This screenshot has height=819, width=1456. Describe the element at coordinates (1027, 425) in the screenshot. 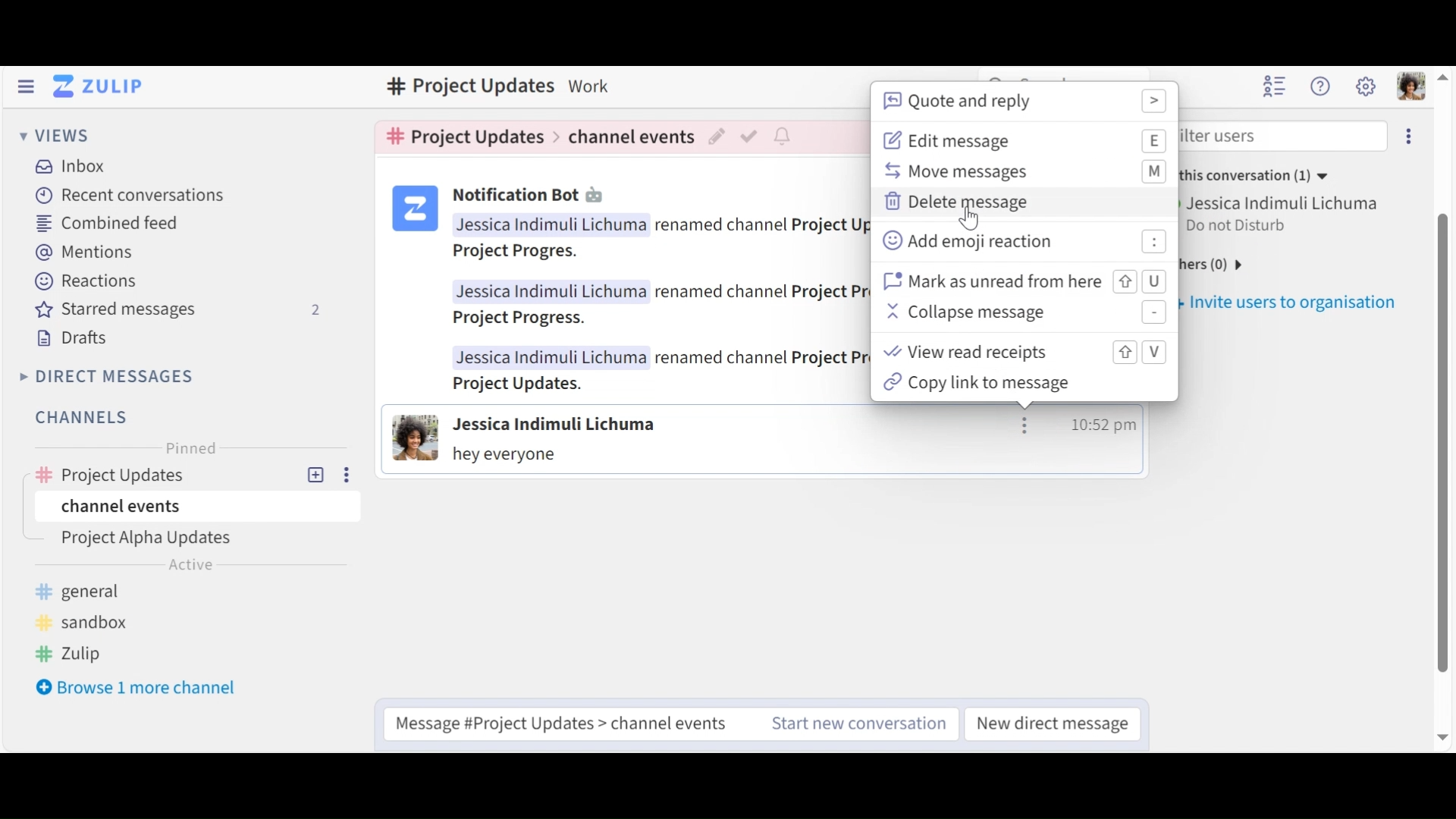

I see `message actions` at that location.